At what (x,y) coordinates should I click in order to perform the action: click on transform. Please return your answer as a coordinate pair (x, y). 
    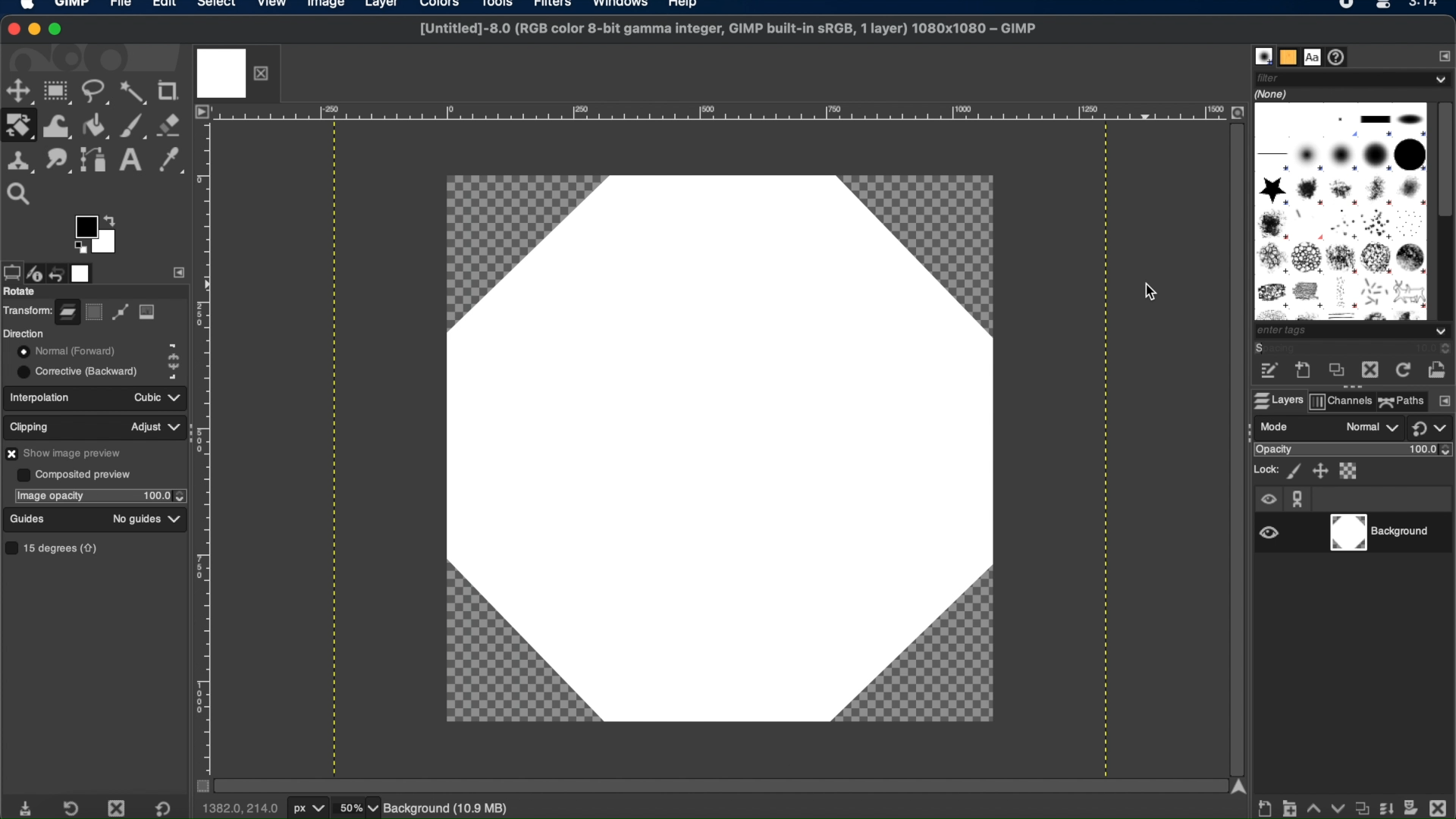
    Looking at the image, I should click on (27, 309).